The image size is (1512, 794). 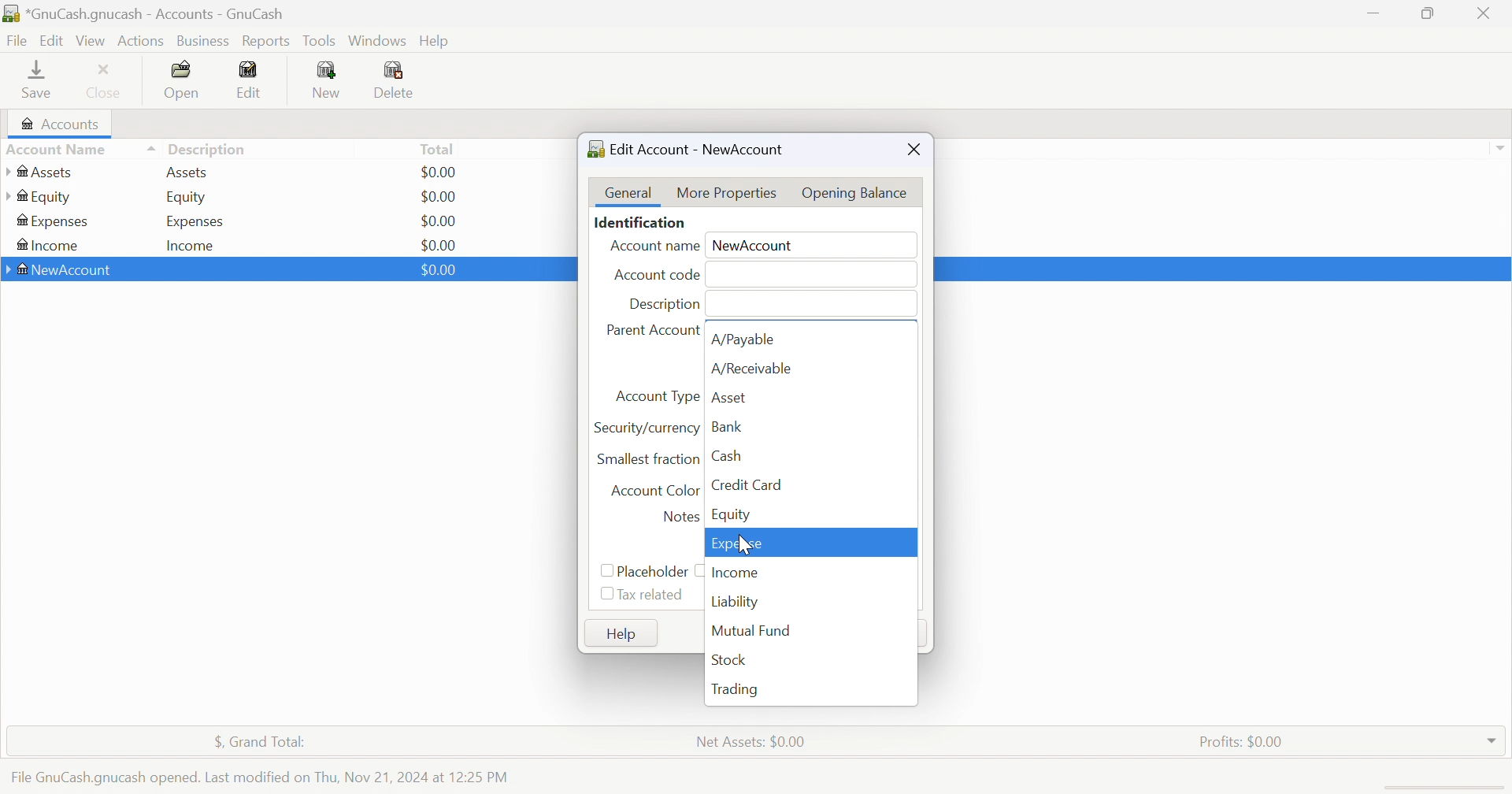 What do you see at coordinates (439, 41) in the screenshot?
I see `Help` at bounding box center [439, 41].